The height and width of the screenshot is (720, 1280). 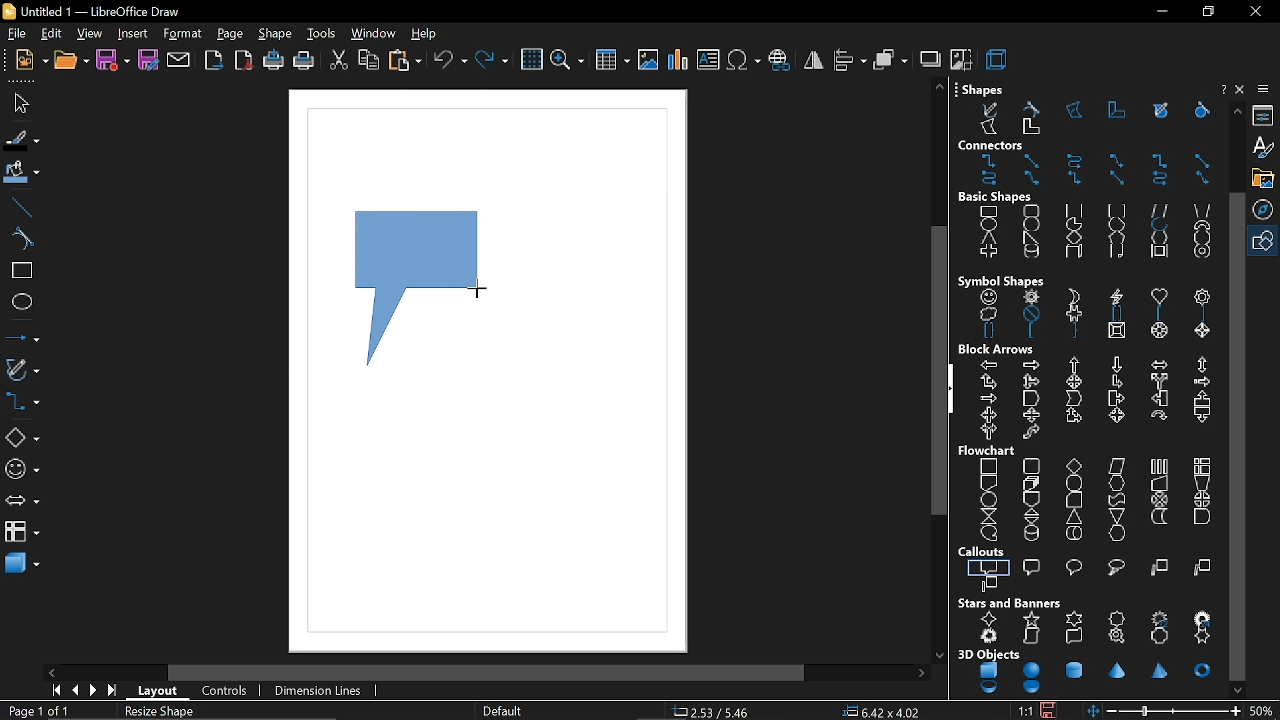 What do you see at coordinates (1076, 180) in the screenshot?
I see `connector with arrows` at bounding box center [1076, 180].